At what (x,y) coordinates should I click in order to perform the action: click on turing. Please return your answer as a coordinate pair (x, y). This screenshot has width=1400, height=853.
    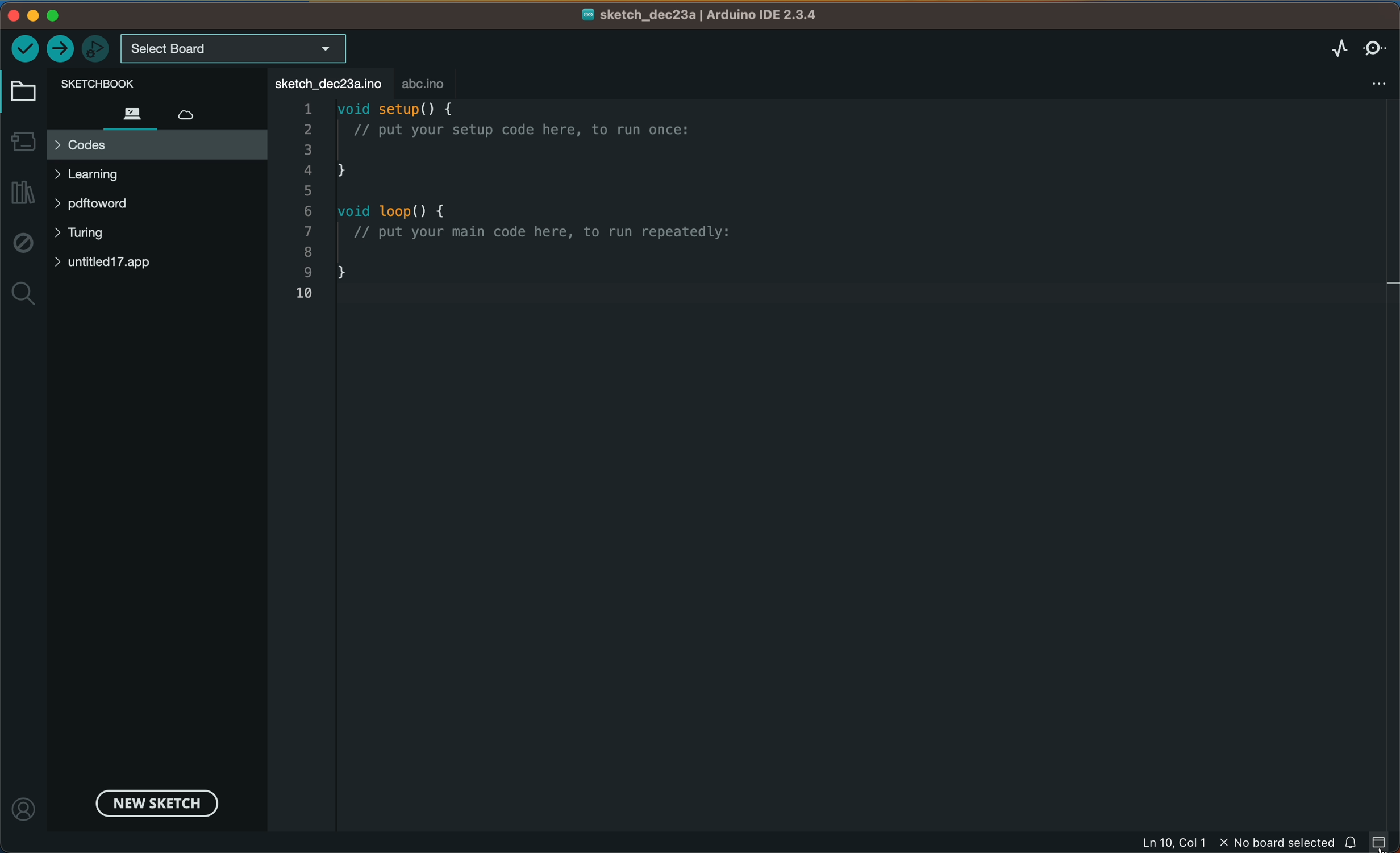
    Looking at the image, I should click on (92, 234).